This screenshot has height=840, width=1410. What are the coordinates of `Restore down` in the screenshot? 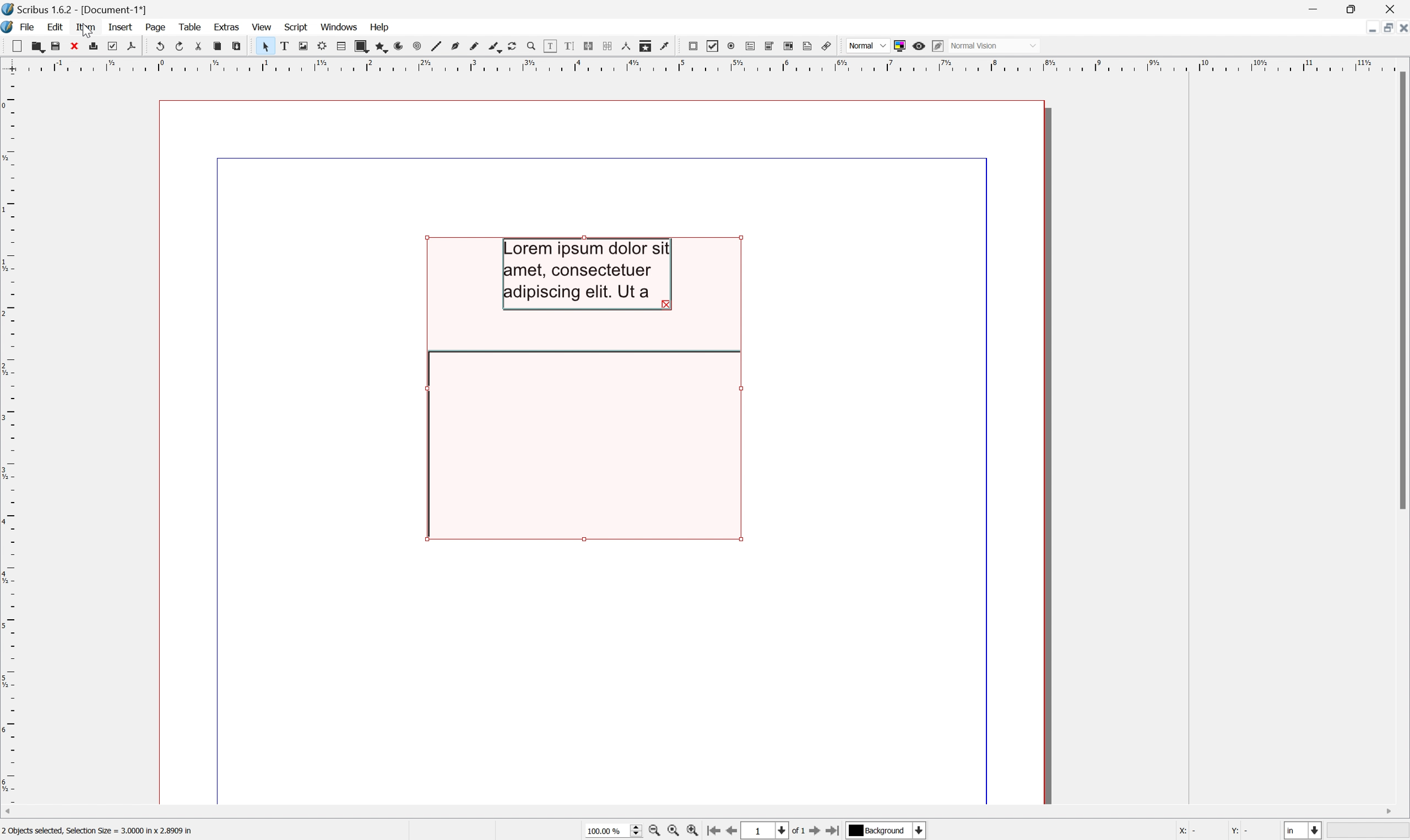 It's located at (1383, 27).